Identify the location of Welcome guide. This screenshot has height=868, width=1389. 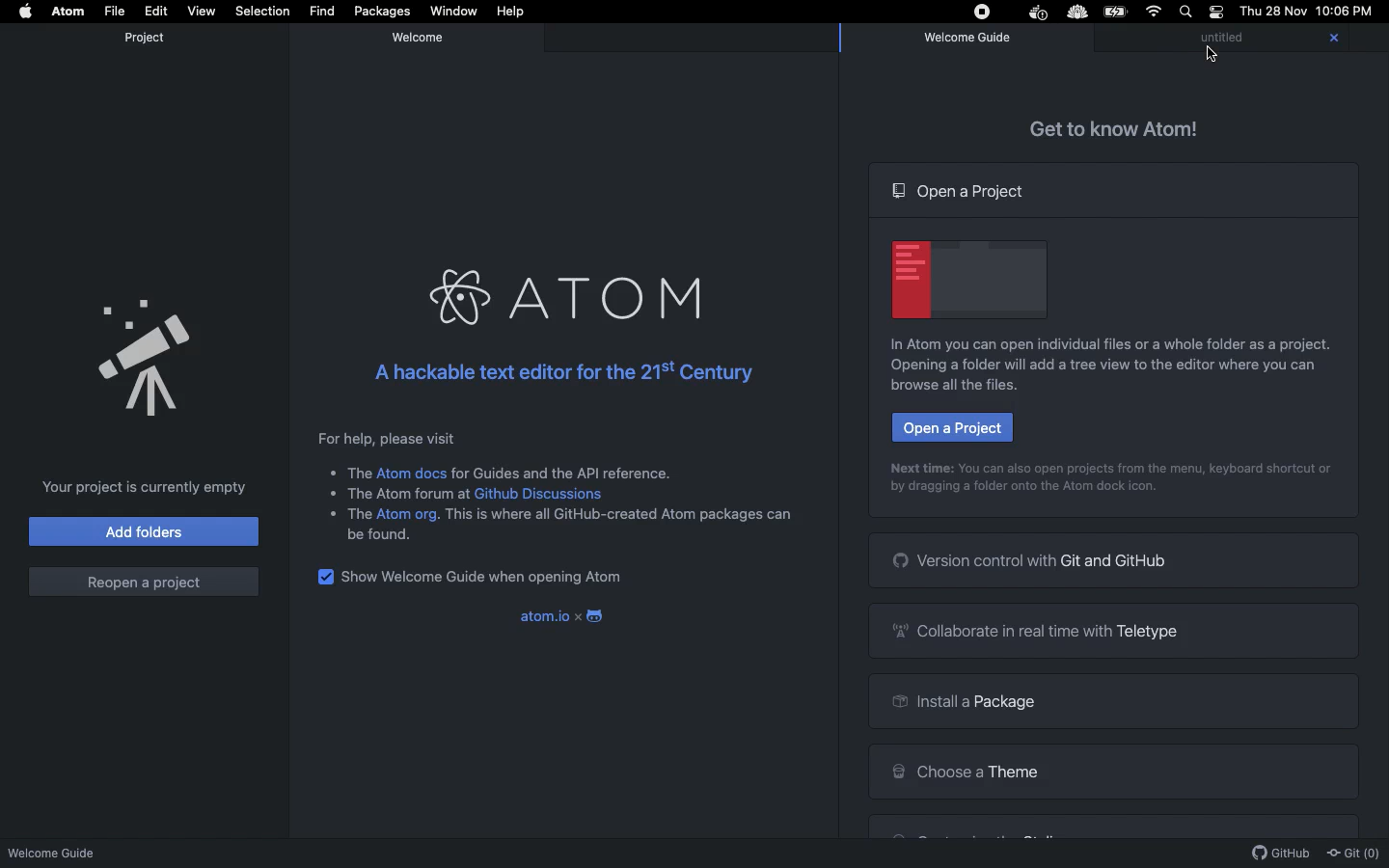
(61, 851).